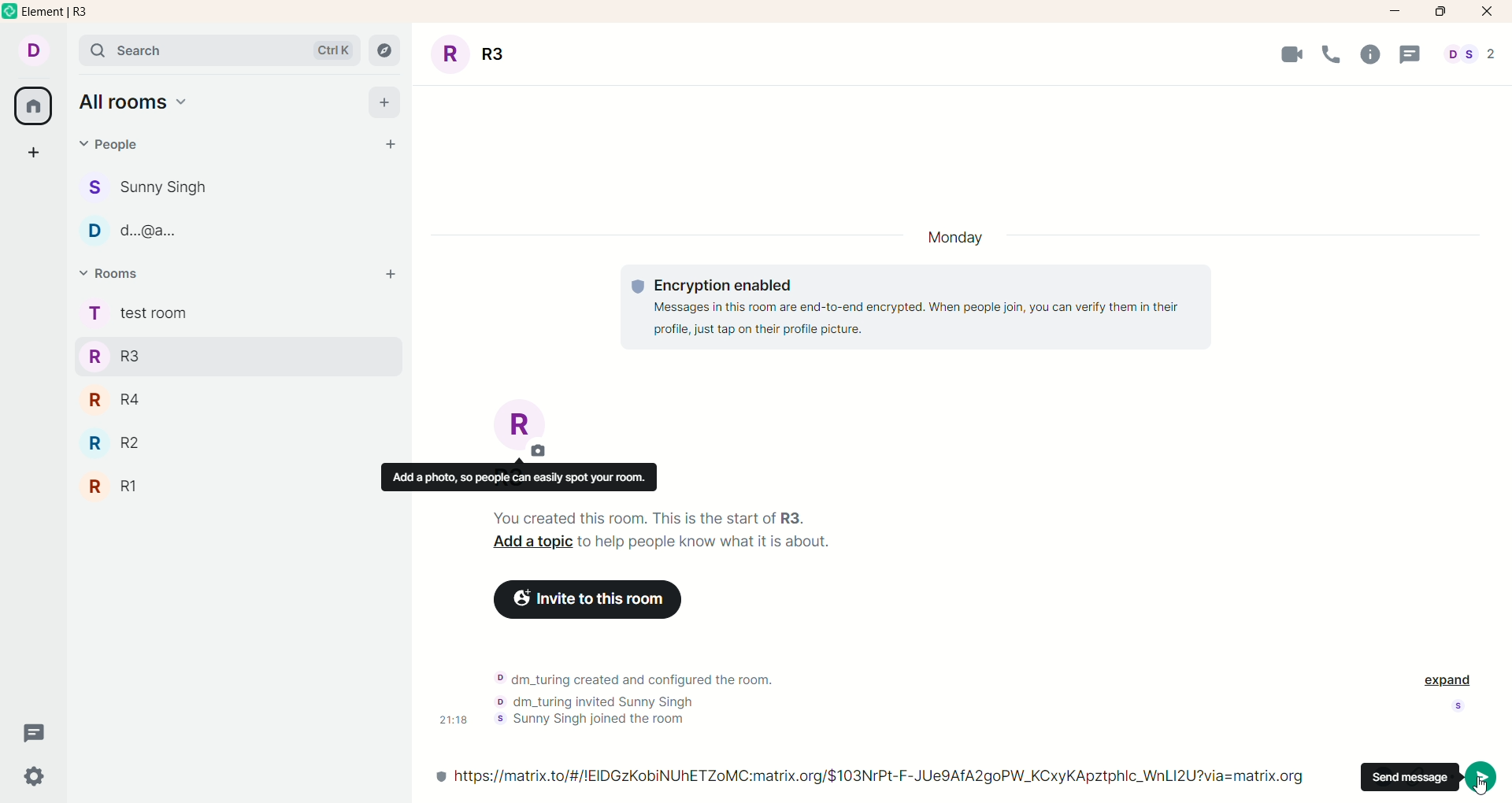 Image resolution: width=1512 pixels, height=803 pixels. Describe the element at coordinates (1473, 53) in the screenshot. I see `people` at that location.